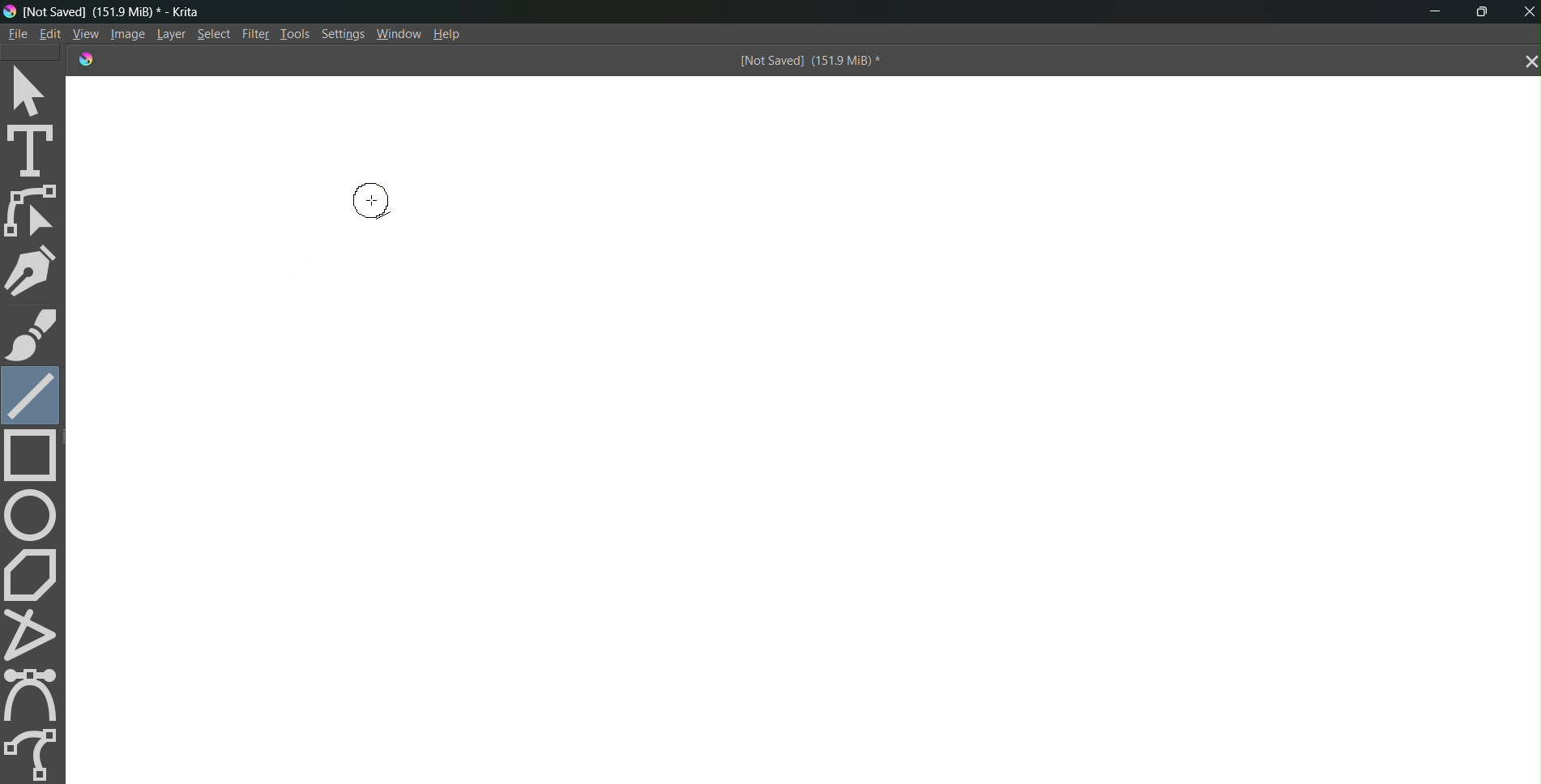 The height and width of the screenshot is (784, 1541). Describe the element at coordinates (399, 34) in the screenshot. I see `Window` at that location.